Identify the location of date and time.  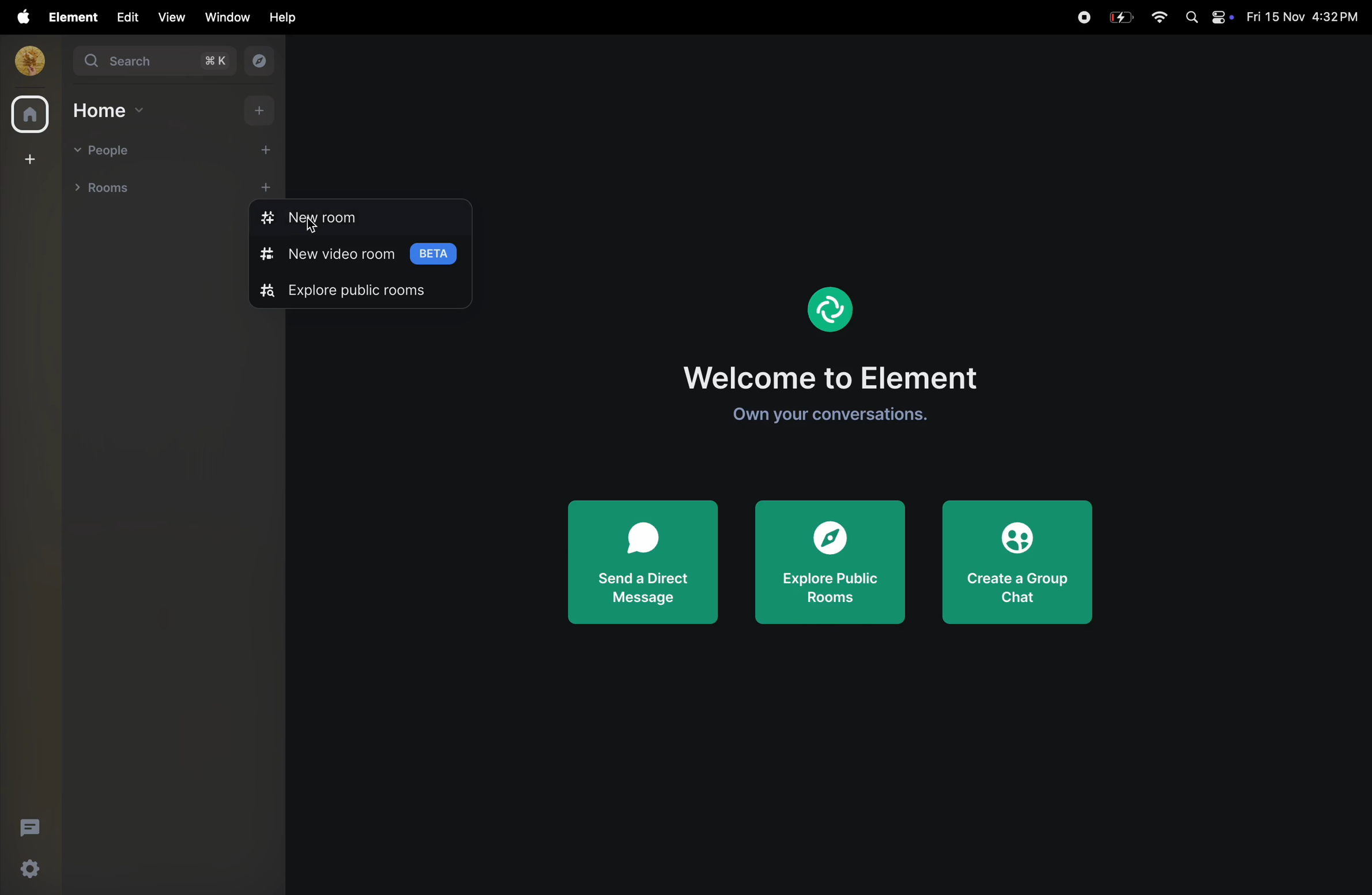
(1302, 17).